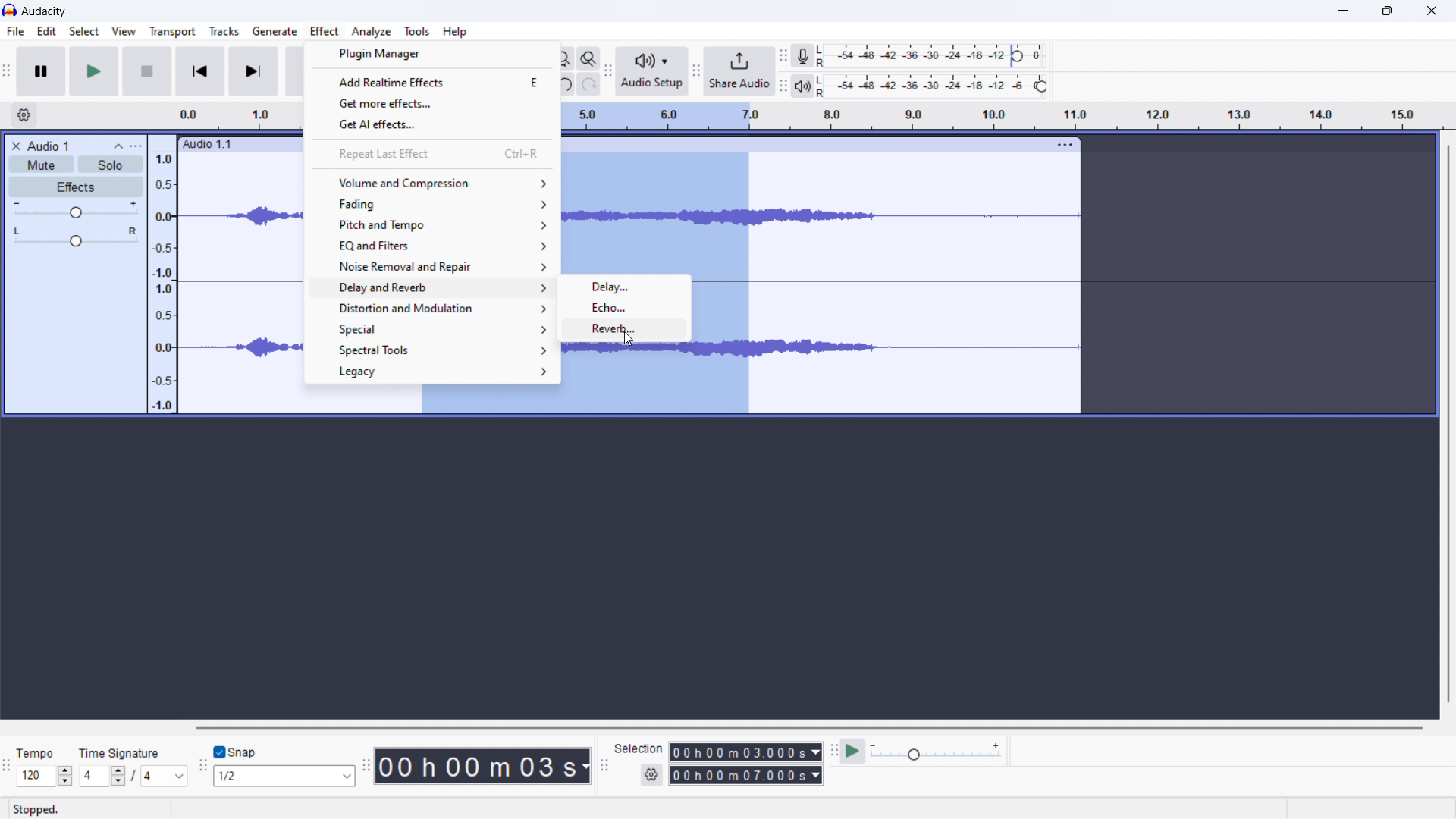 The width and height of the screenshot is (1456, 819). What do you see at coordinates (429, 226) in the screenshot?
I see `pitch and tempo` at bounding box center [429, 226].